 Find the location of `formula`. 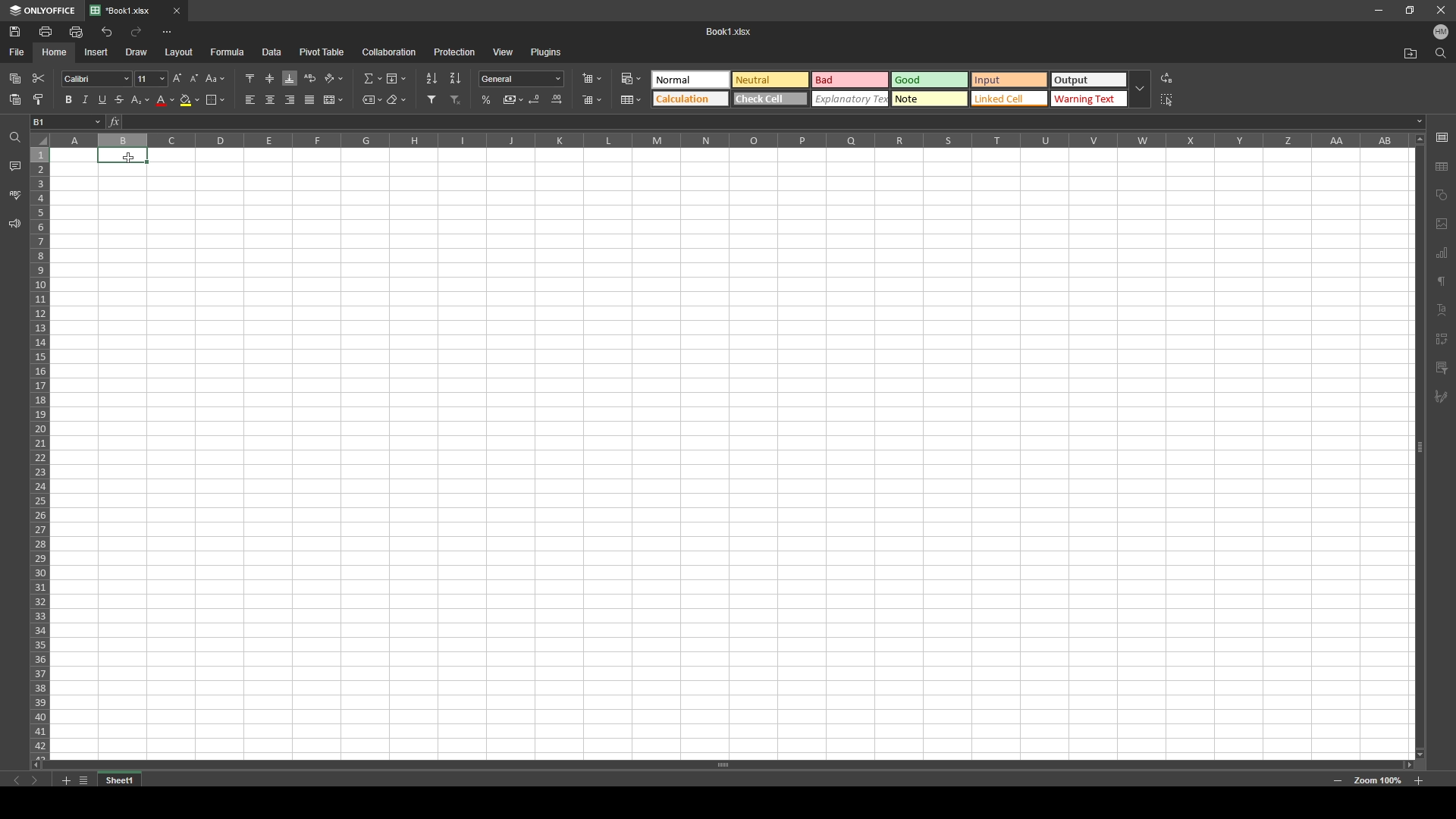

formula is located at coordinates (227, 52).